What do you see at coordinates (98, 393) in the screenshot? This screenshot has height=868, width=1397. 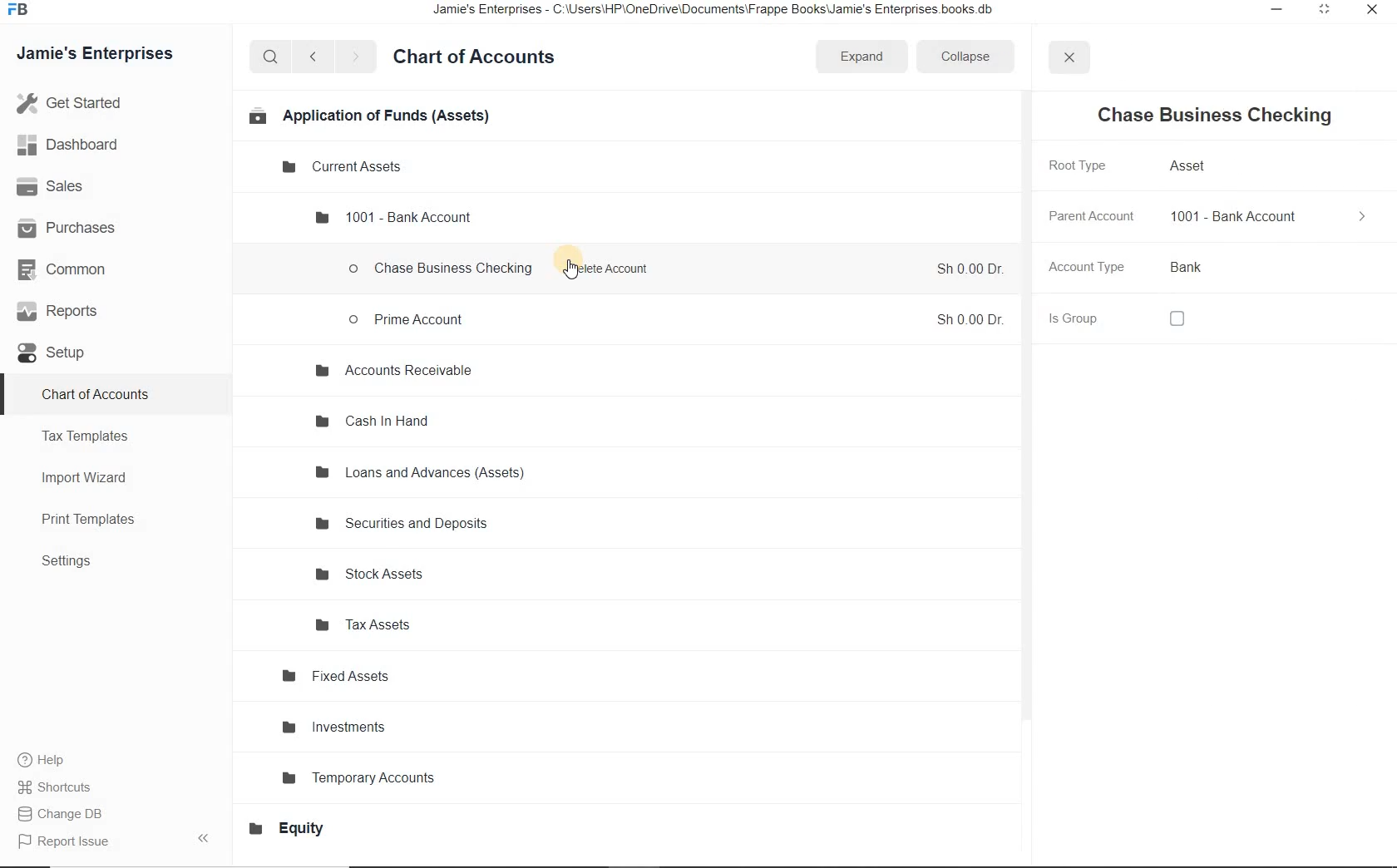 I see `Chart of Accounts` at bounding box center [98, 393].